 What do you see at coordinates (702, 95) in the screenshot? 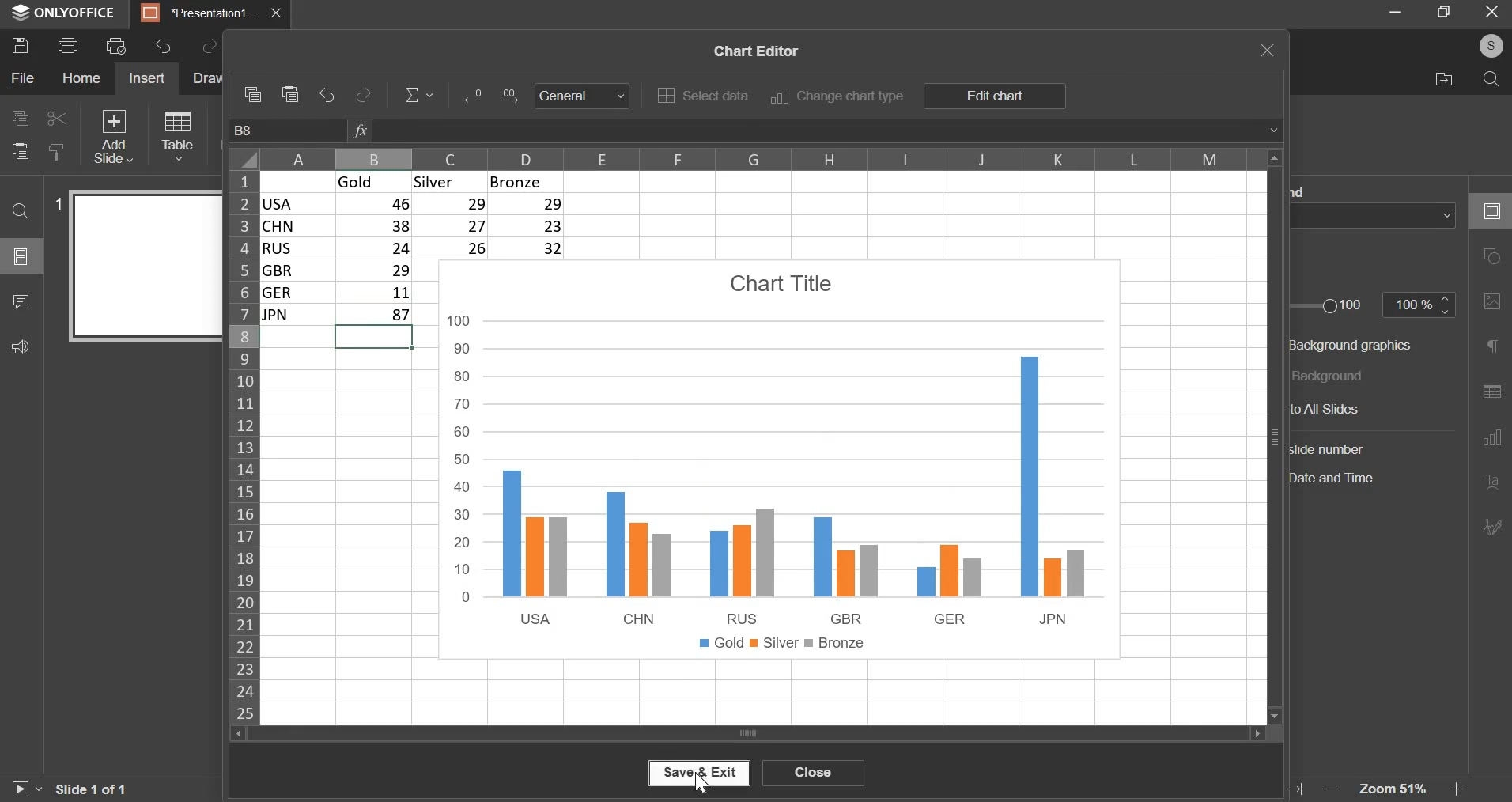
I see `select data` at bounding box center [702, 95].